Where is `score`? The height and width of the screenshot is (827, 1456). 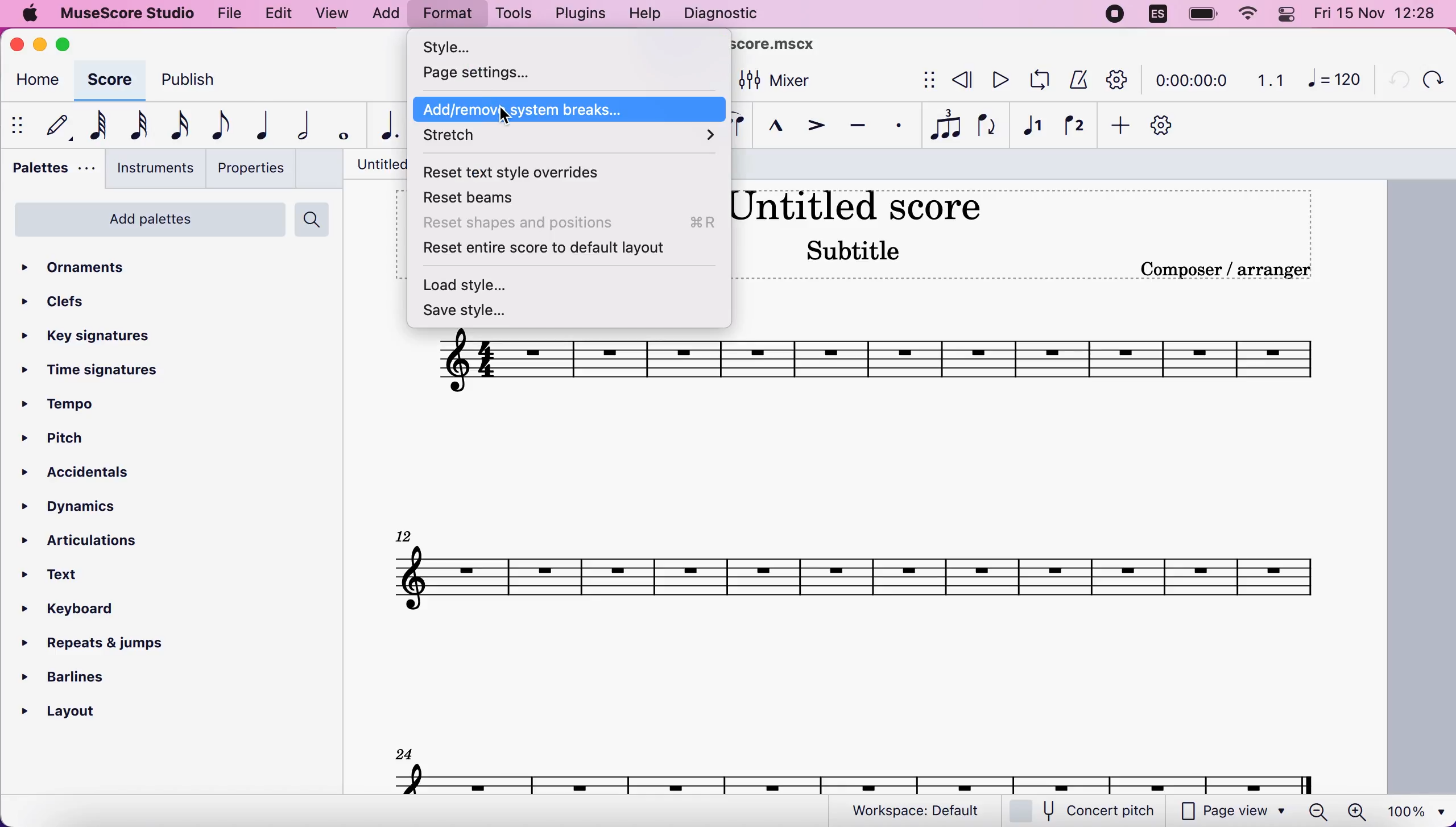
score is located at coordinates (107, 80).